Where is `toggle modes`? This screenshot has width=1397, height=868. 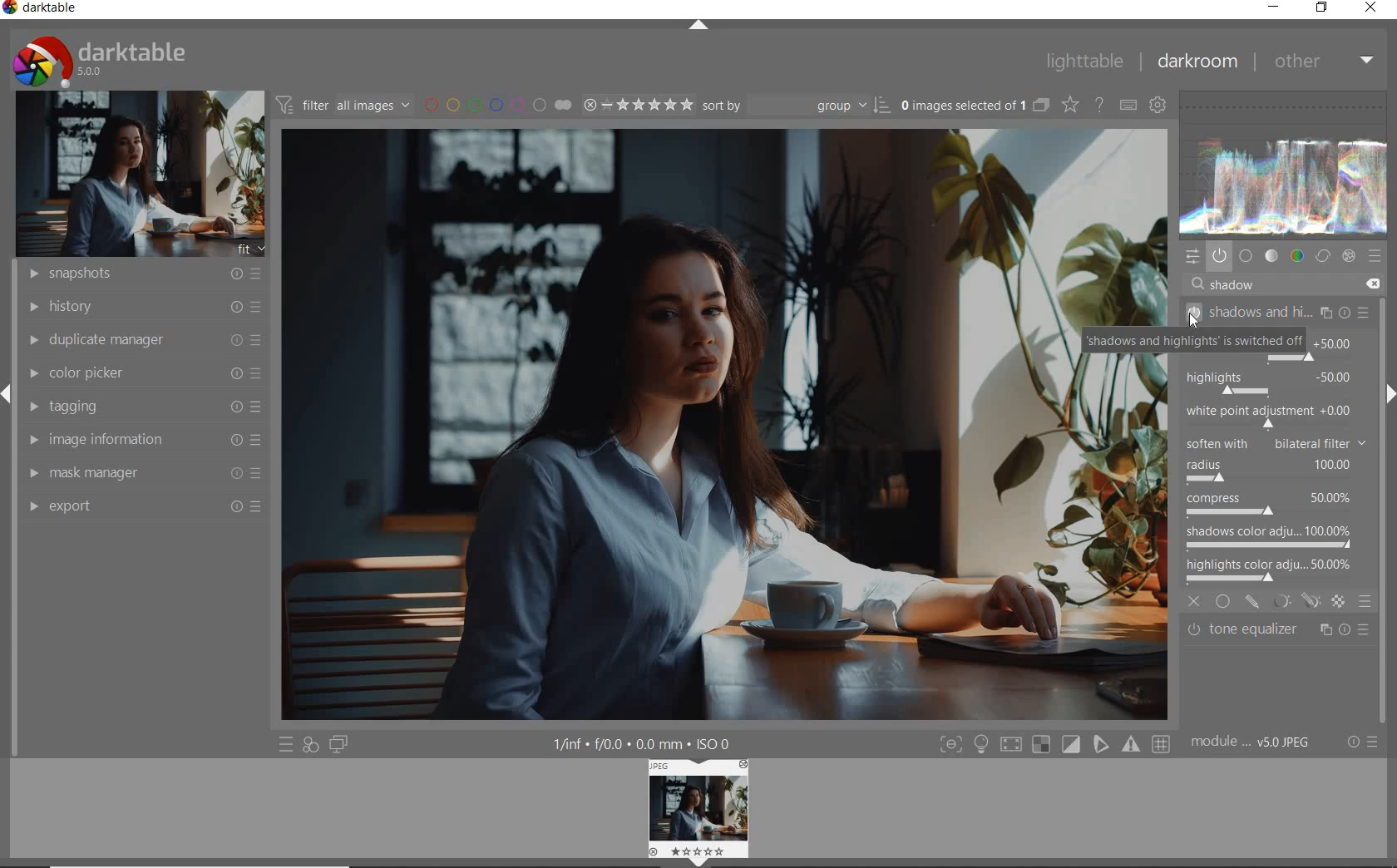 toggle modes is located at coordinates (1054, 744).